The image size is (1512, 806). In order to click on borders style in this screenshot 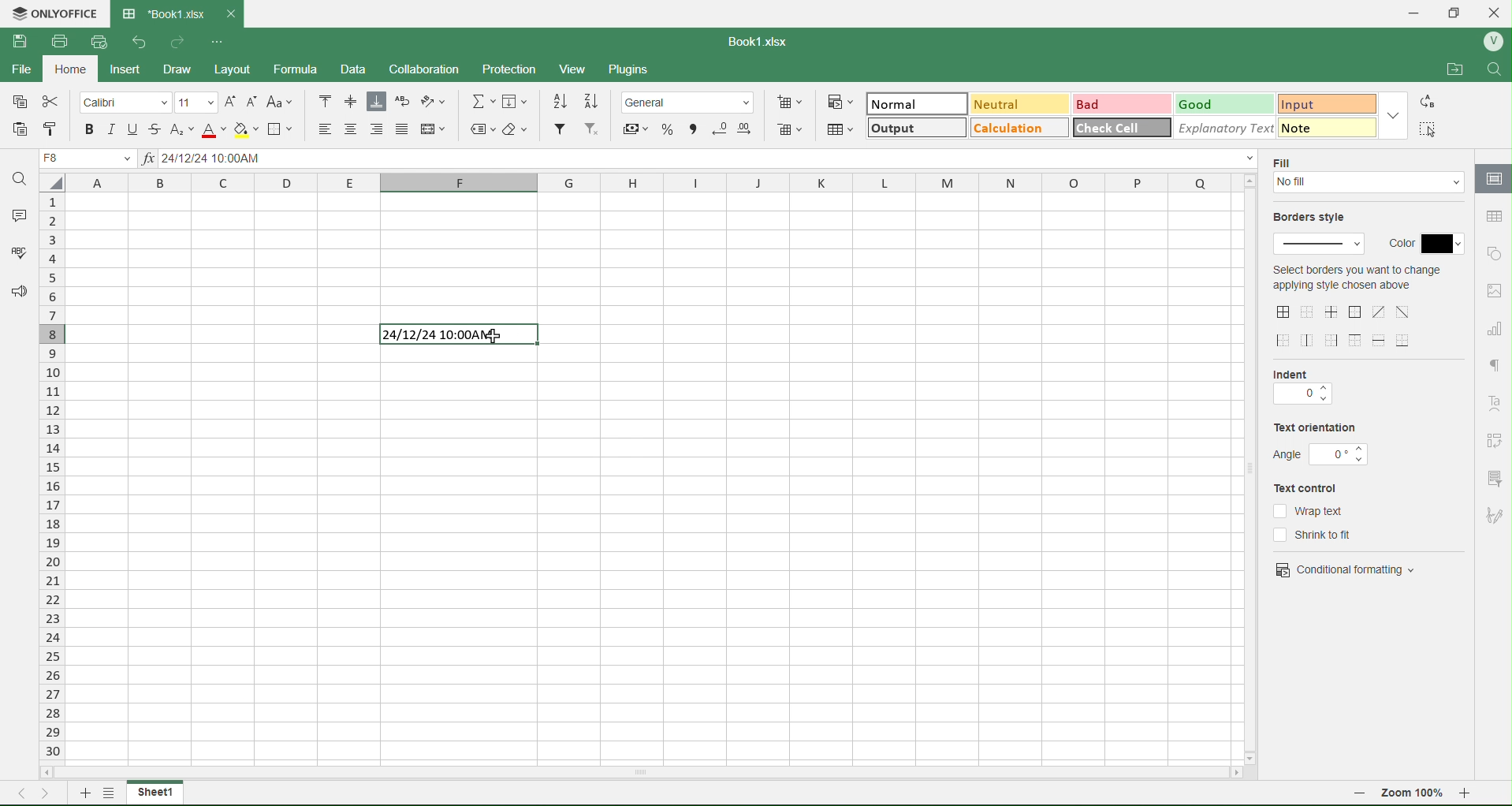, I will do `click(1315, 218)`.